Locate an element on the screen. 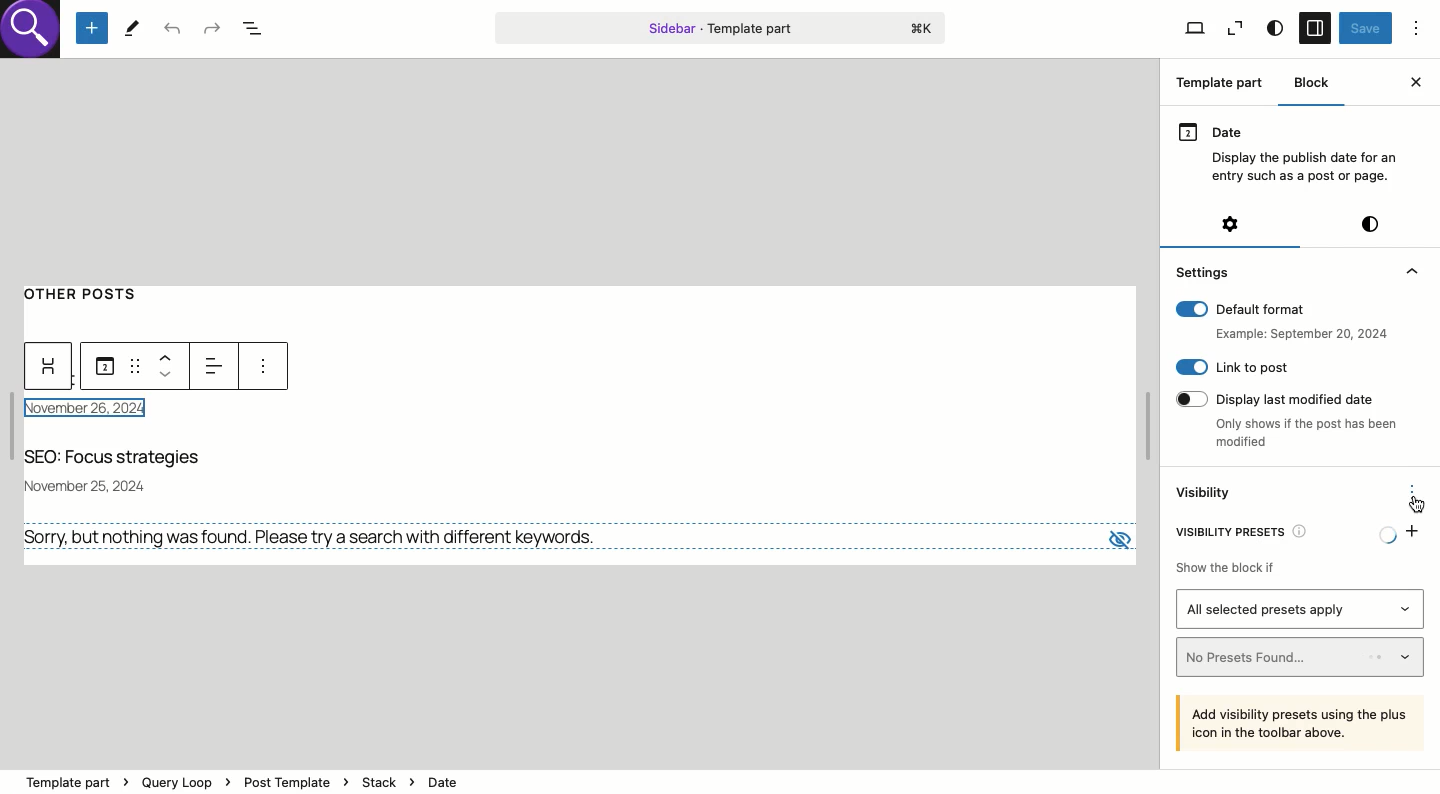 Image resolution: width=1440 pixels, height=794 pixels. No presets found is located at coordinates (1302, 657).